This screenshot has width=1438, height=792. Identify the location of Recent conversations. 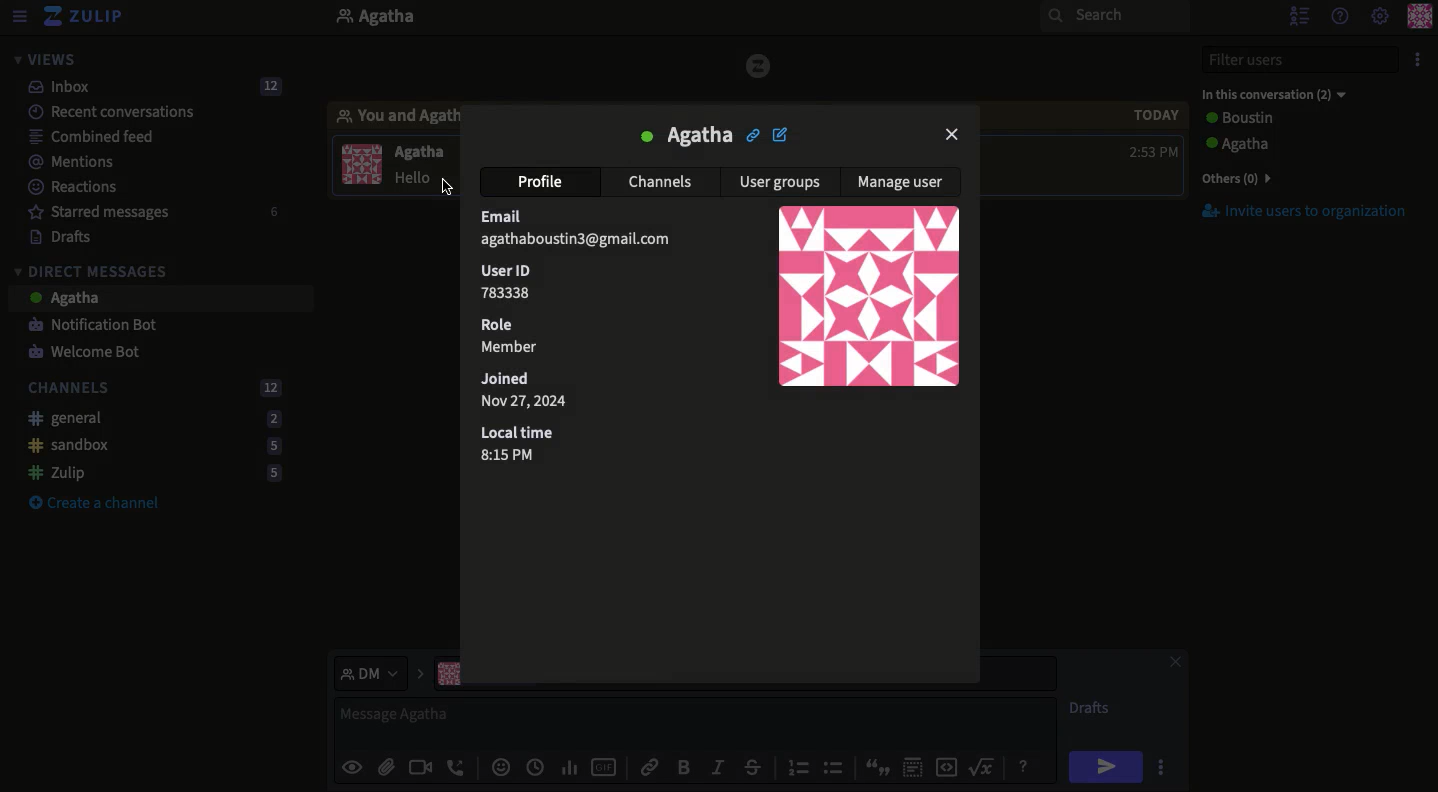
(119, 111).